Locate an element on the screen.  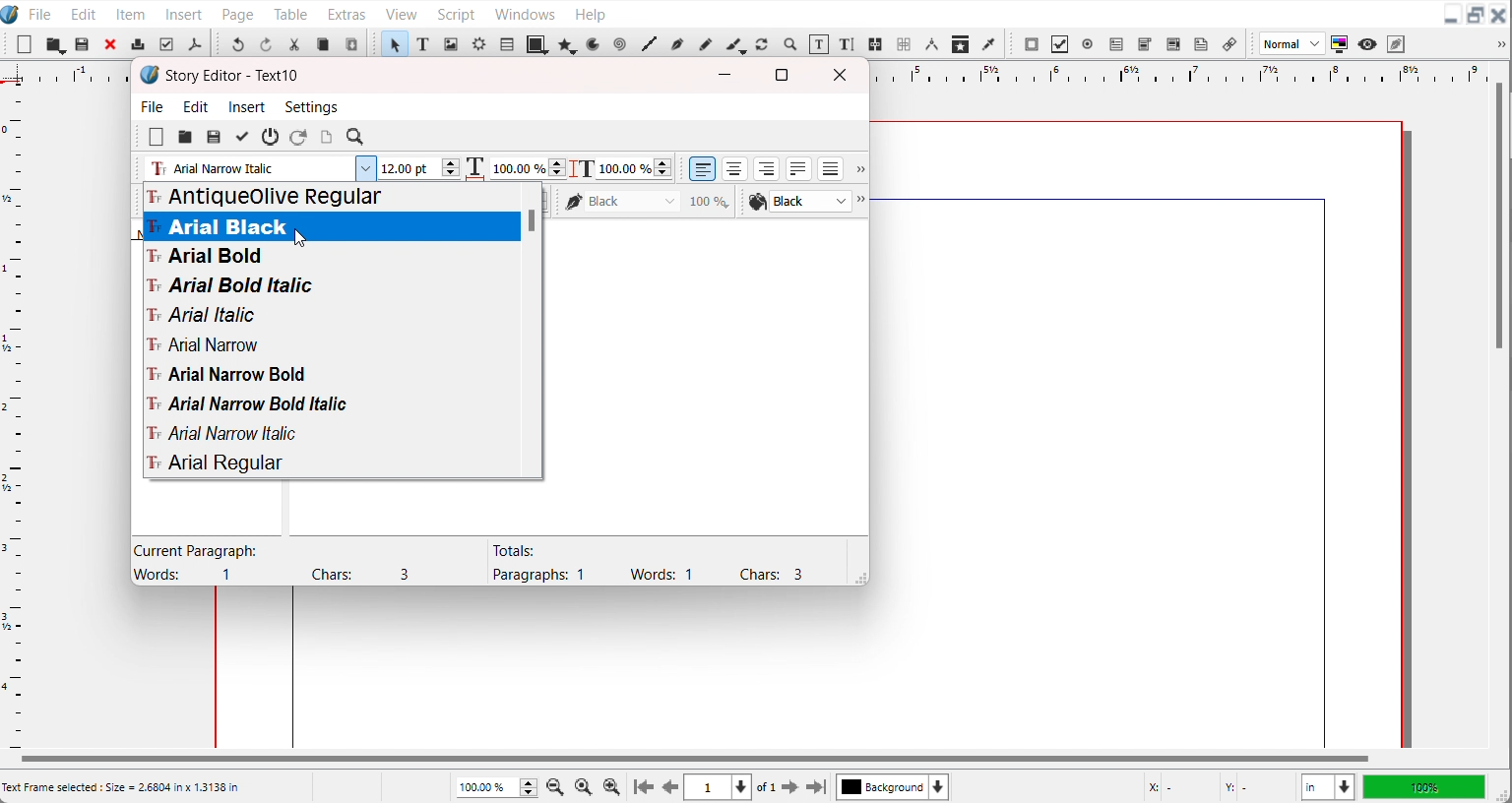
Arc is located at coordinates (595, 43).